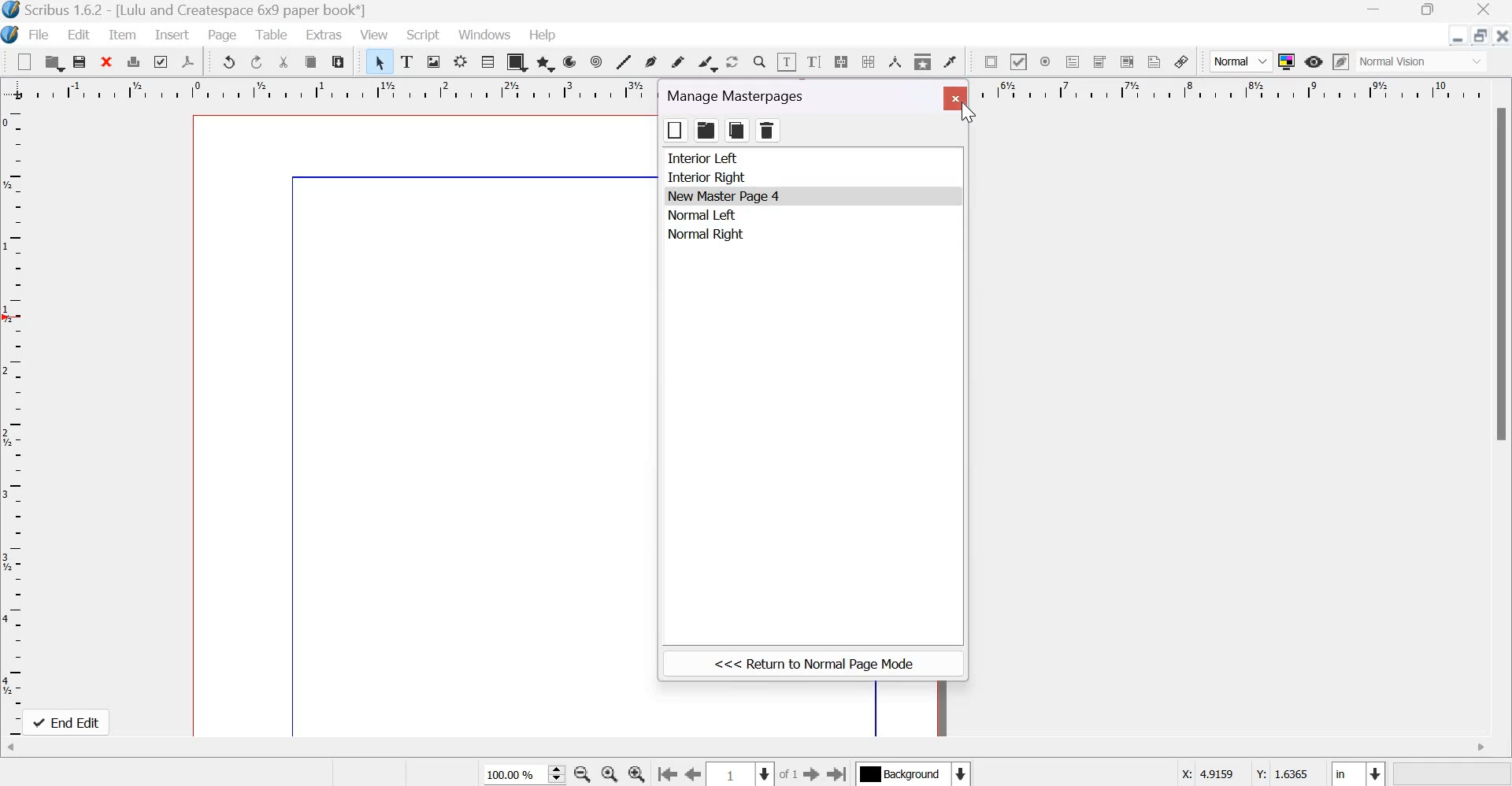 Image resolution: width=1512 pixels, height=786 pixels. I want to click on Link annotation, so click(1181, 61).